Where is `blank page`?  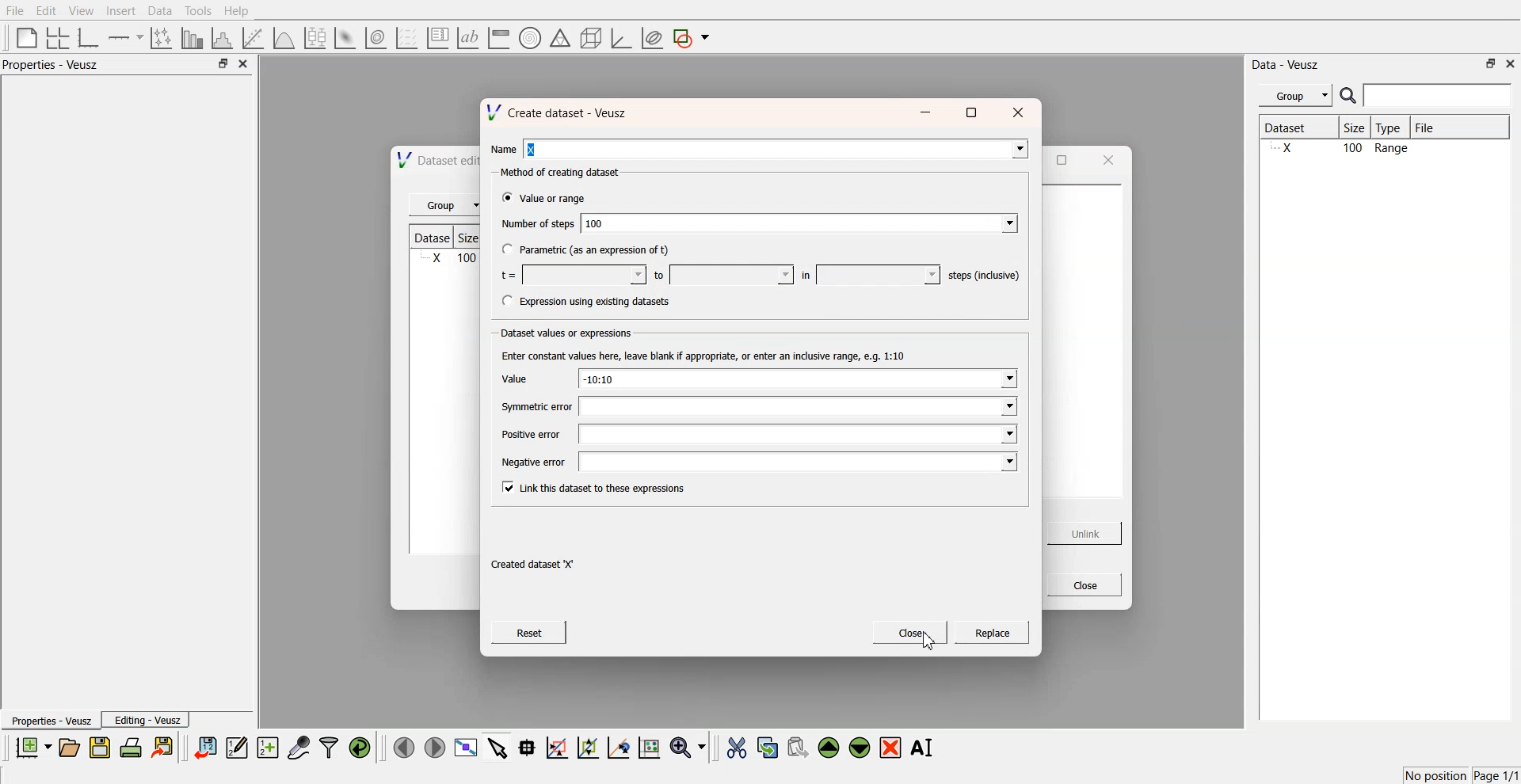 blank page is located at coordinates (23, 36).